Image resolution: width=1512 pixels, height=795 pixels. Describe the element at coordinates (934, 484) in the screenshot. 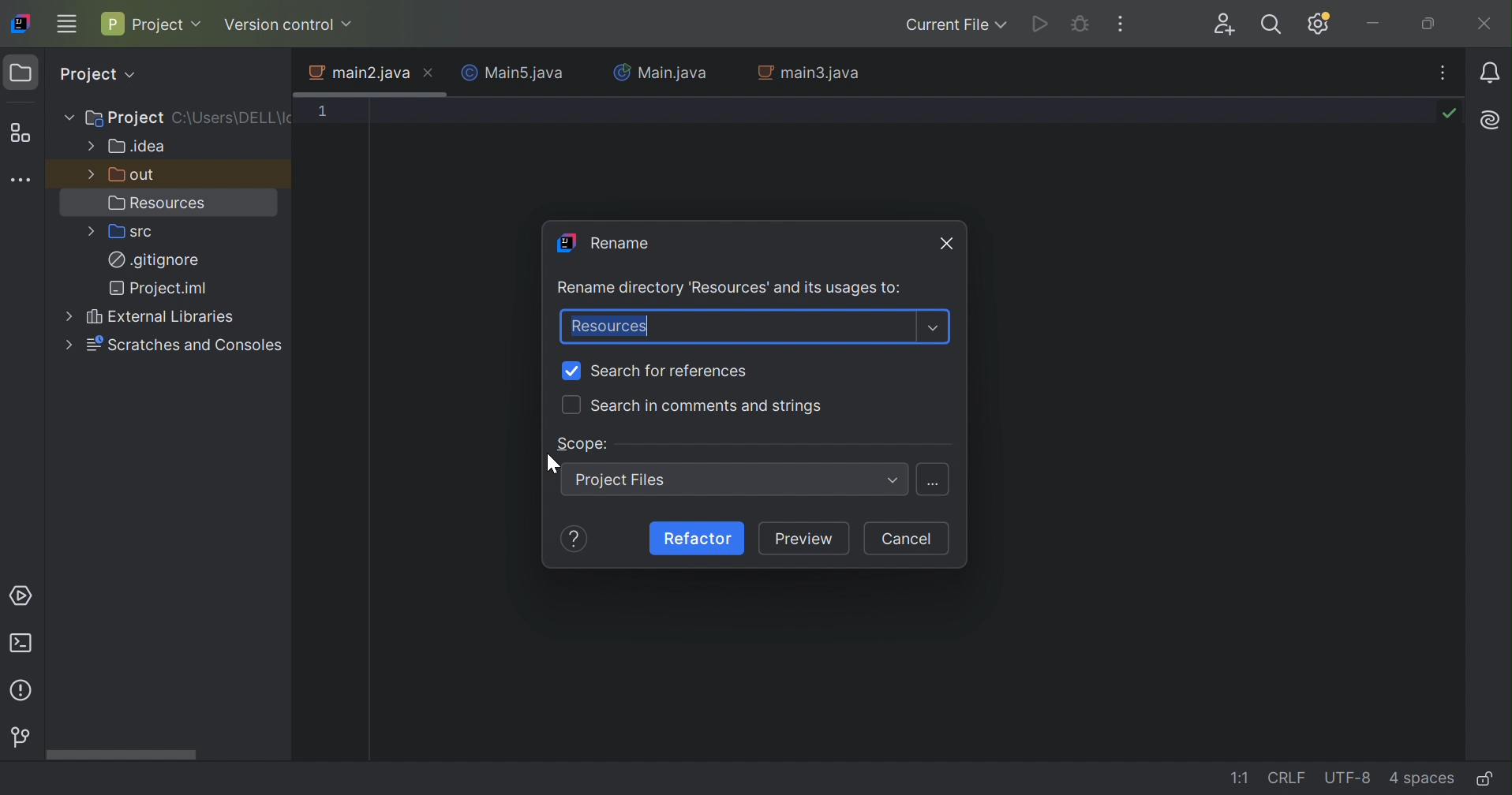

I see `Shift+Enter` at that location.